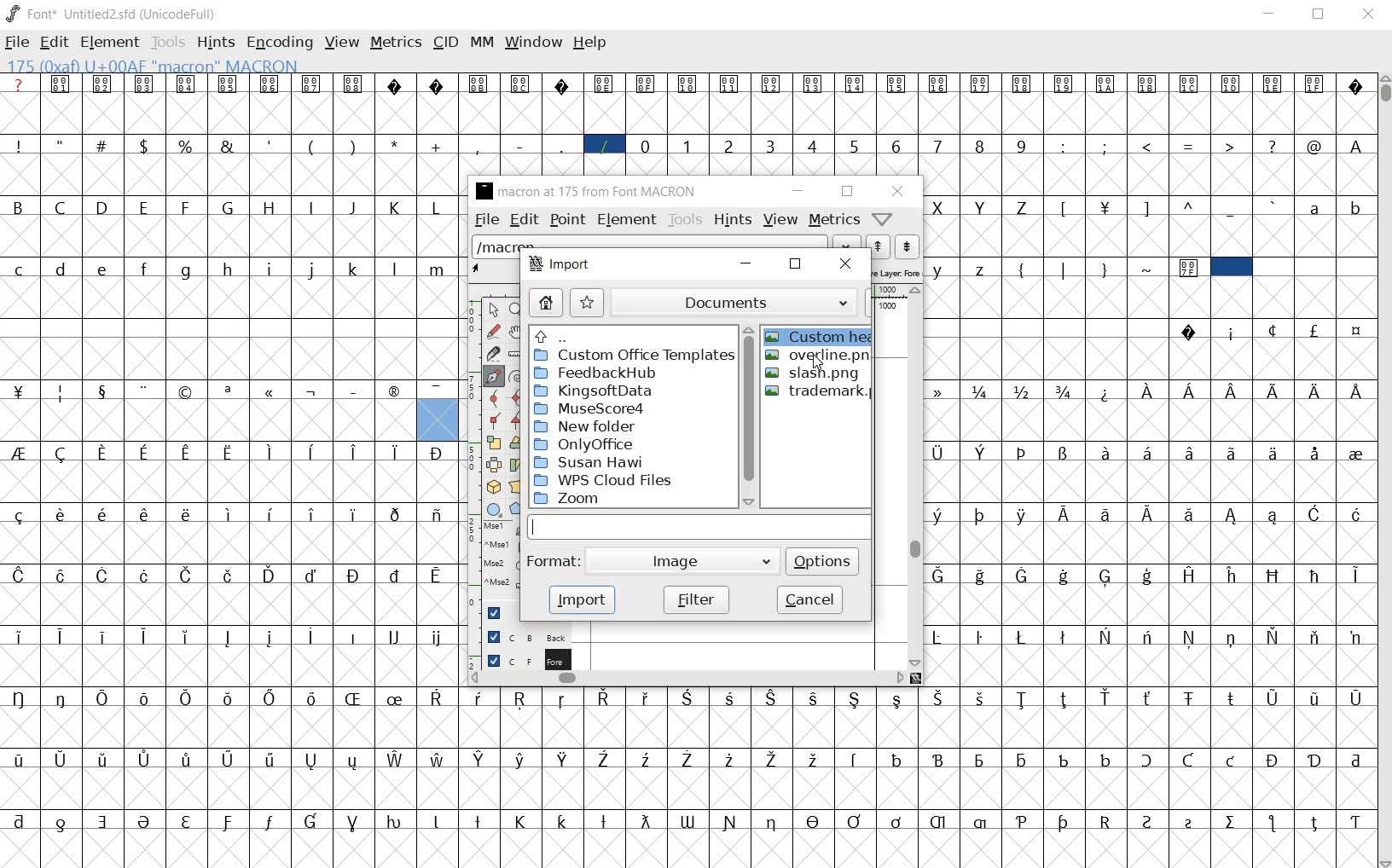 The image size is (1392, 868). What do you see at coordinates (229, 514) in the screenshot?
I see `Symbol` at bounding box center [229, 514].